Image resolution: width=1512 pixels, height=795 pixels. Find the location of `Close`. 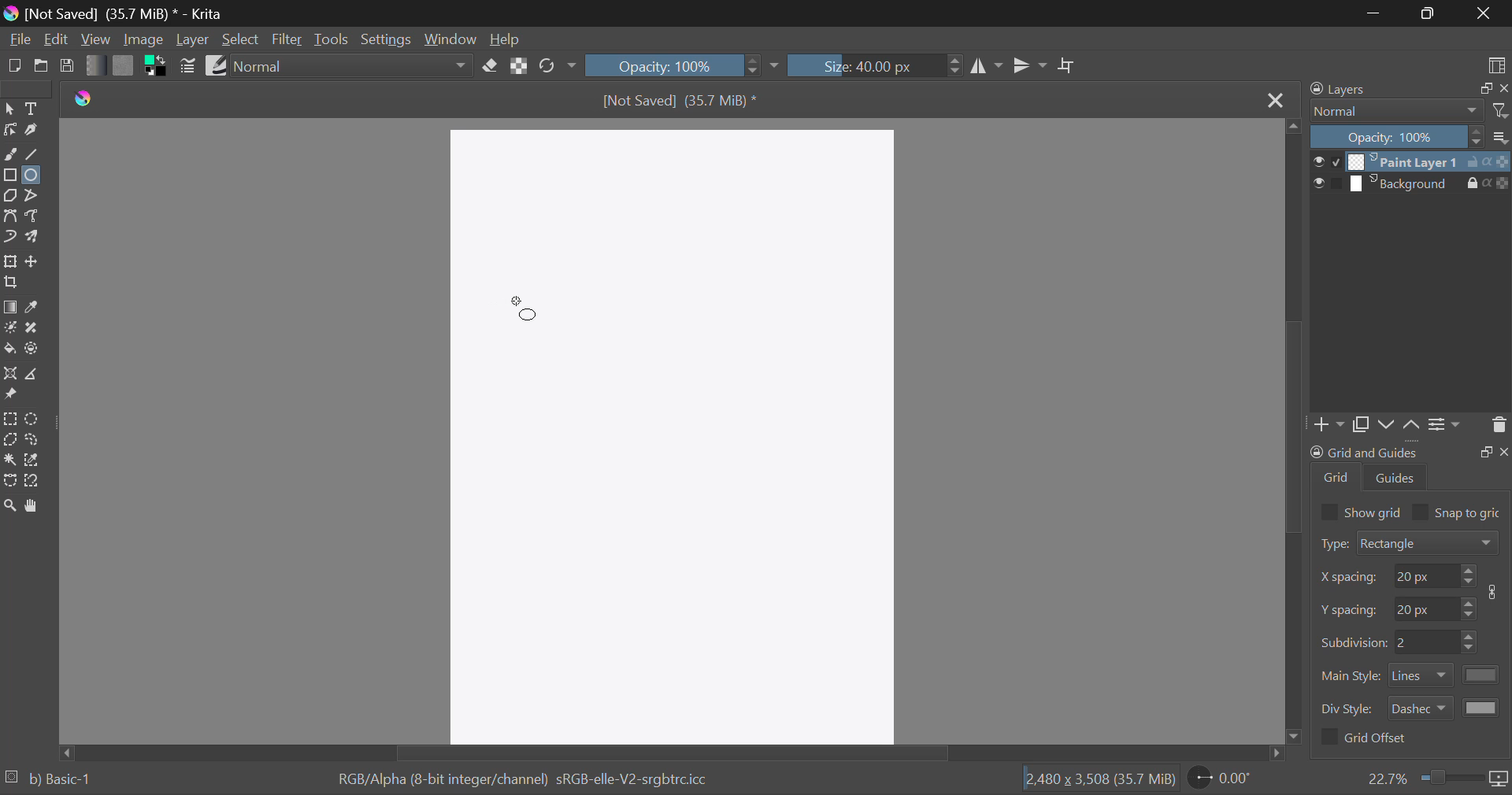

Close is located at coordinates (1484, 13).